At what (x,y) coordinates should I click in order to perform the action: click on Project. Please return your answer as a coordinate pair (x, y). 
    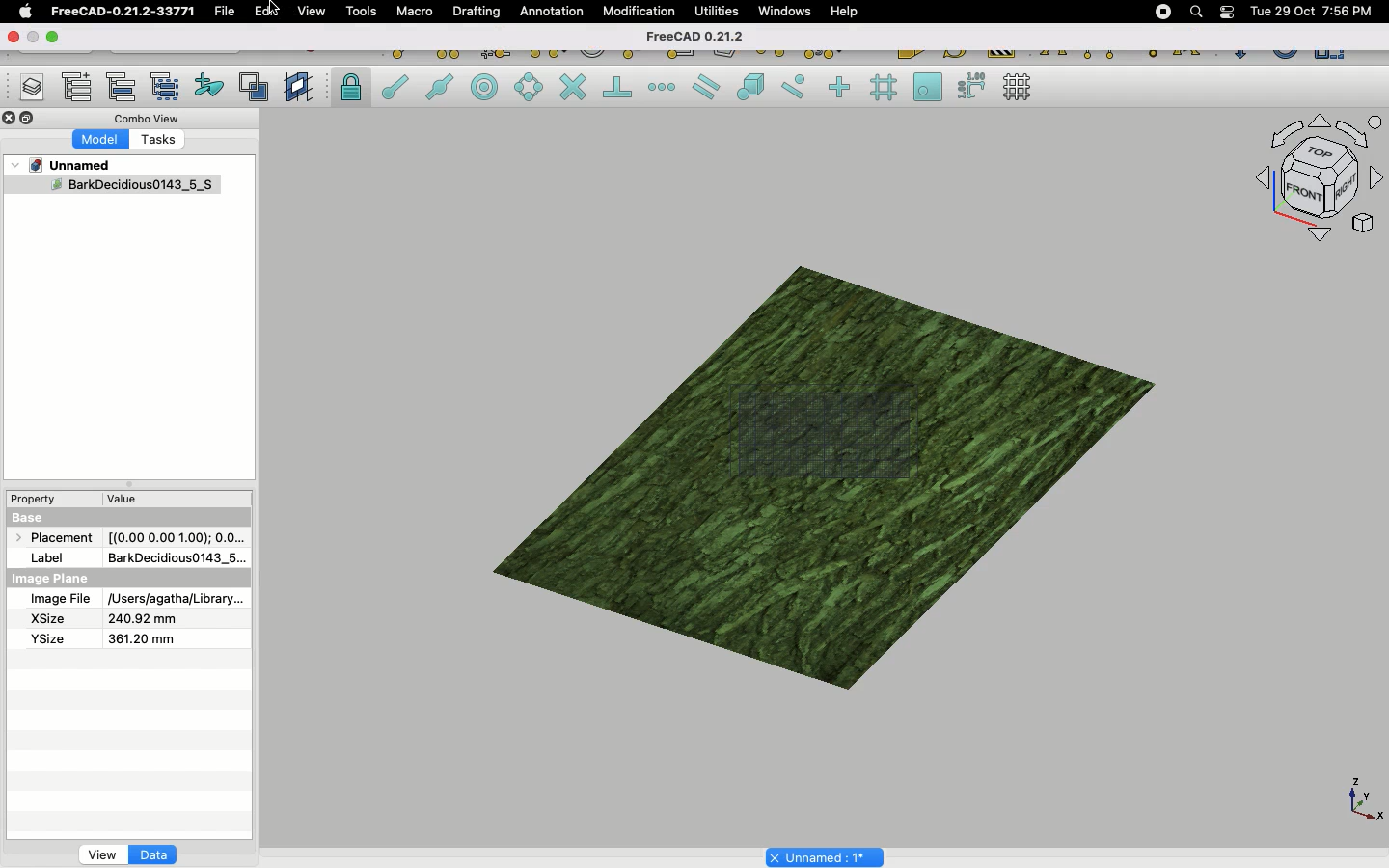
    Looking at the image, I should click on (71, 165).